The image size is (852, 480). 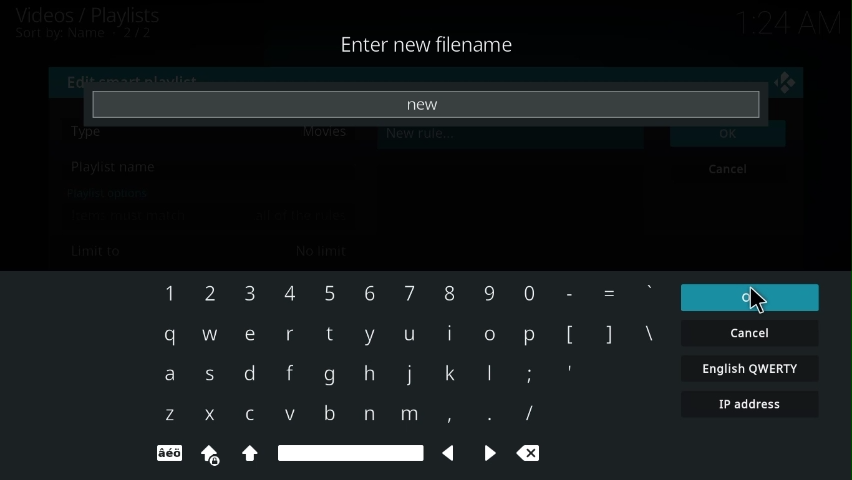 What do you see at coordinates (751, 370) in the screenshot?
I see `english qwerty` at bounding box center [751, 370].